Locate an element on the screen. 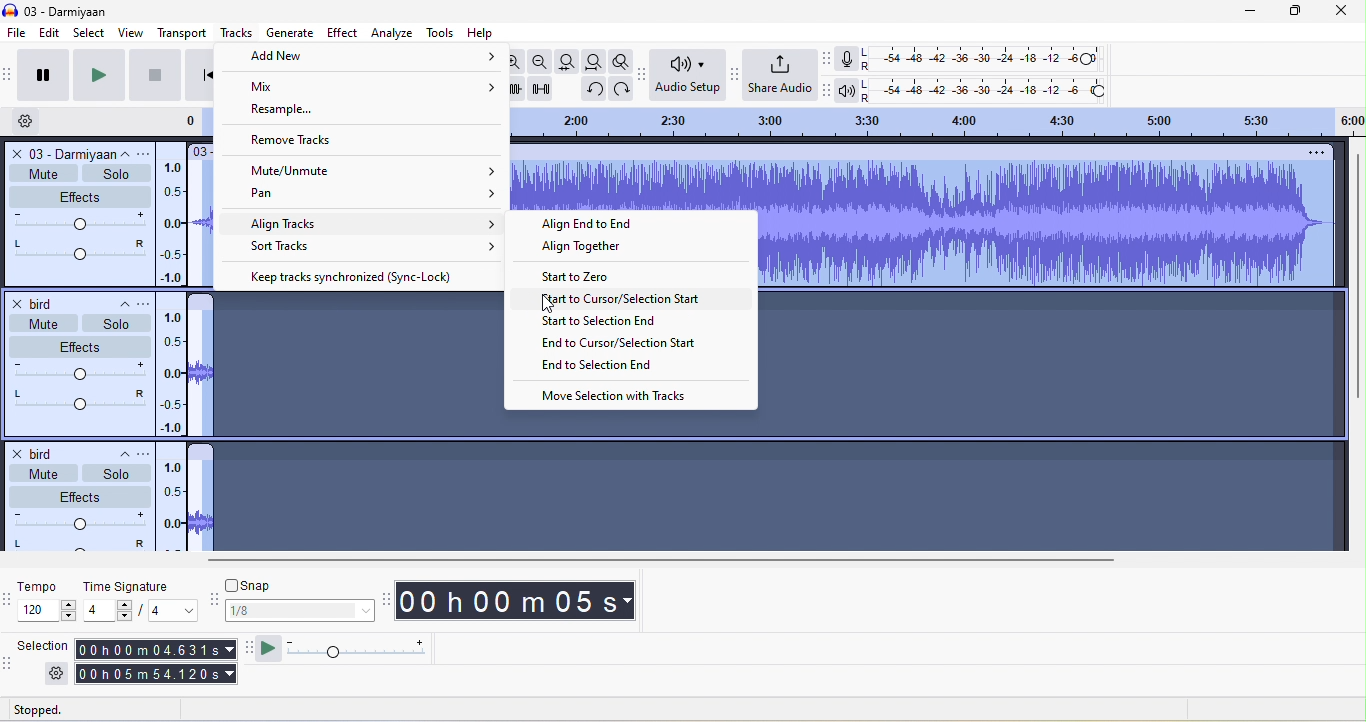  vertical scroll bar is located at coordinates (1355, 280).